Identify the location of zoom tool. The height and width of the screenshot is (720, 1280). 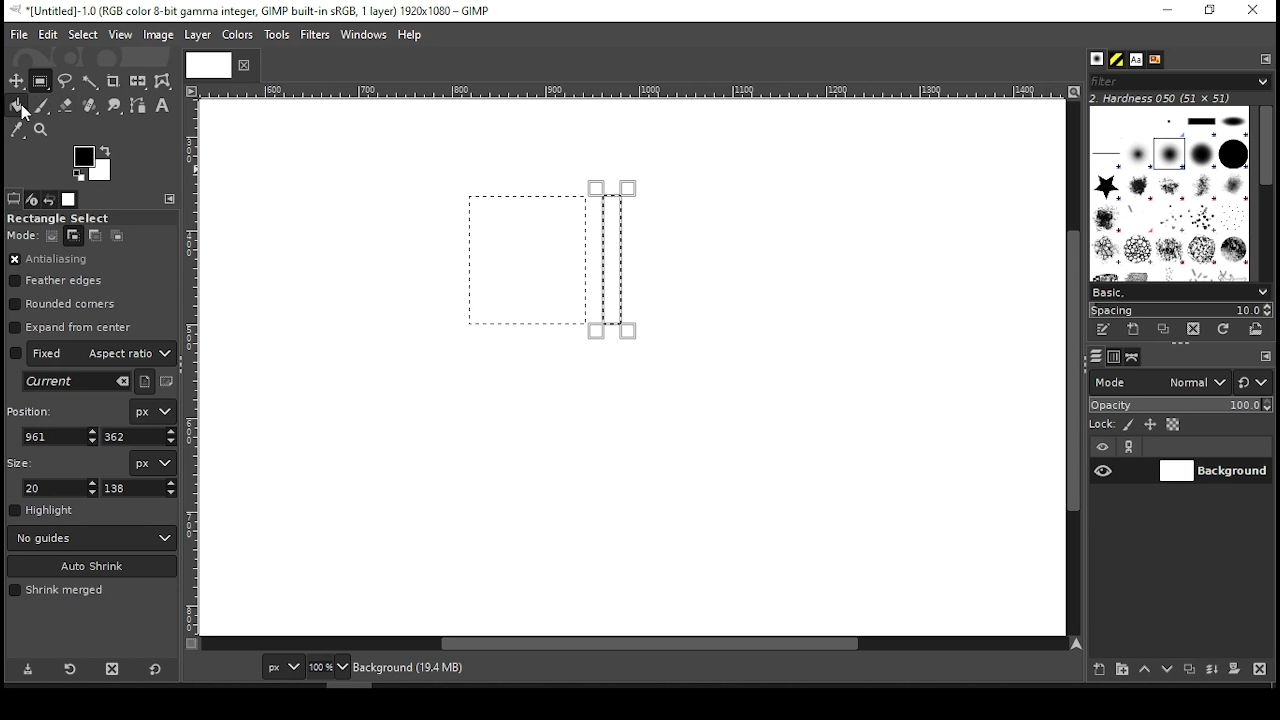
(42, 131).